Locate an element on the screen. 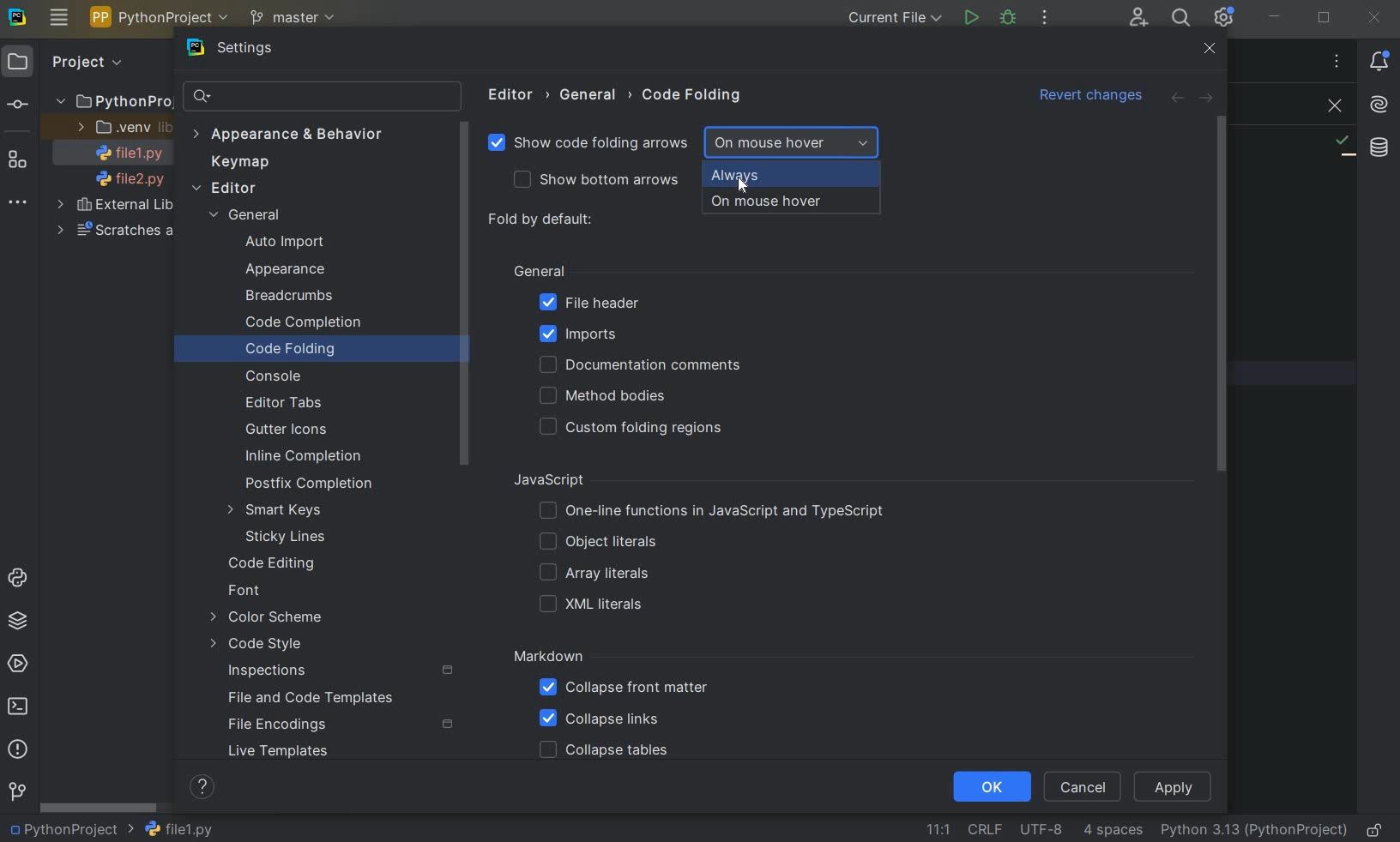 The height and width of the screenshot is (842, 1400). PYTHON CONSOLE is located at coordinates (20, 574).